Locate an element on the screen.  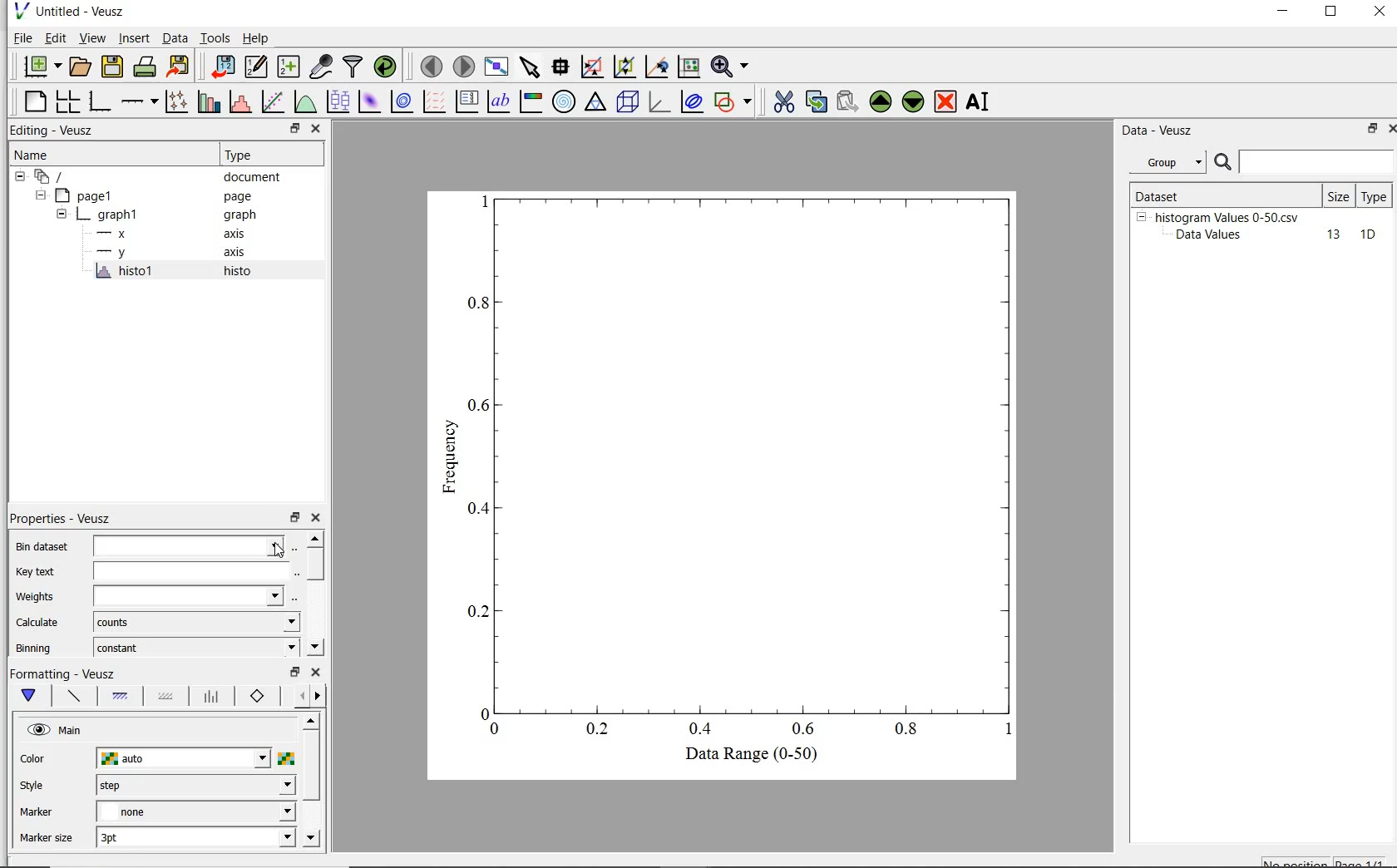
group is located at coordinates (1166, 162).